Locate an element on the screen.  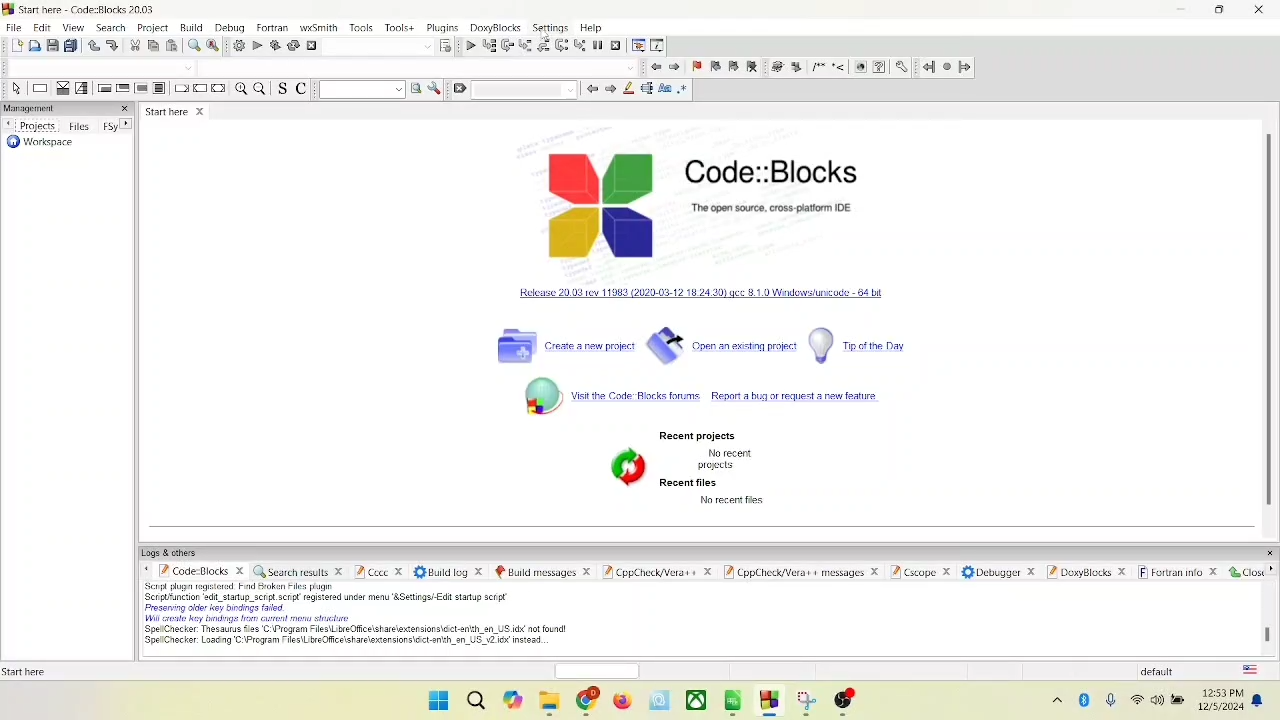
tools is located at coordinates (363, 27).